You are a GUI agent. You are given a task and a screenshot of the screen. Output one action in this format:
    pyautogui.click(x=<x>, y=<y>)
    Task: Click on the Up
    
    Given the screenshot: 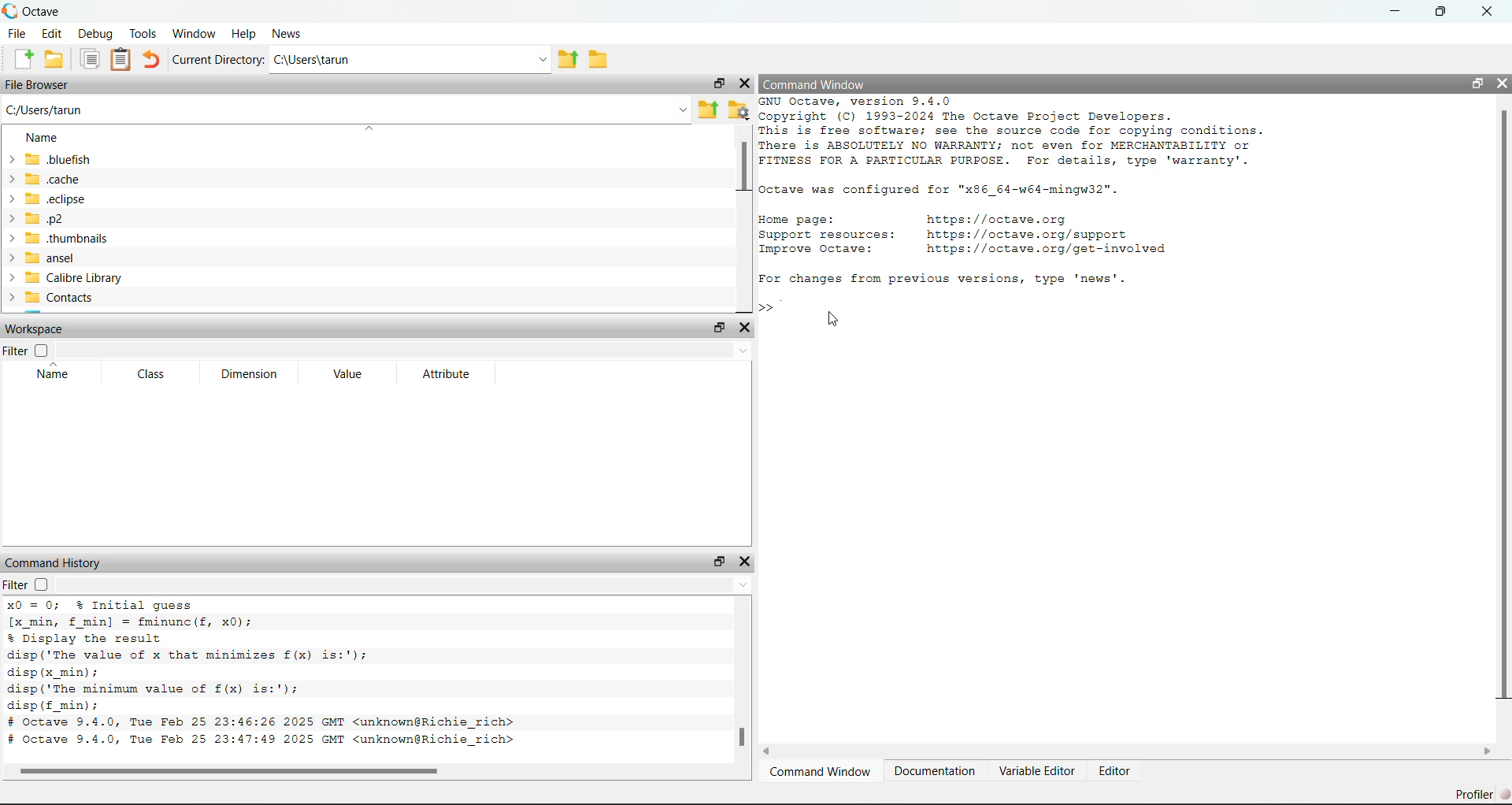 What is the action you would take?
    pyautogui.click(x=745, y=587)
    